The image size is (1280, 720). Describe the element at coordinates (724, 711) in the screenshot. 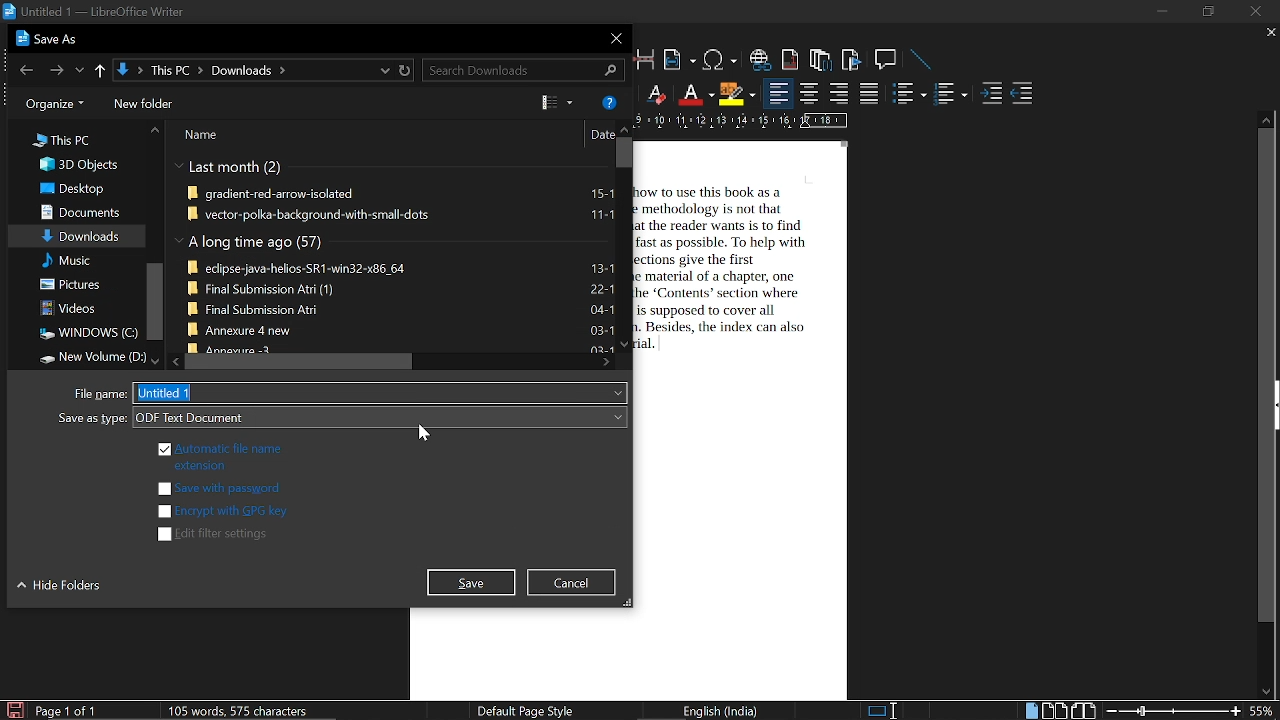

I see `language style` at that location.